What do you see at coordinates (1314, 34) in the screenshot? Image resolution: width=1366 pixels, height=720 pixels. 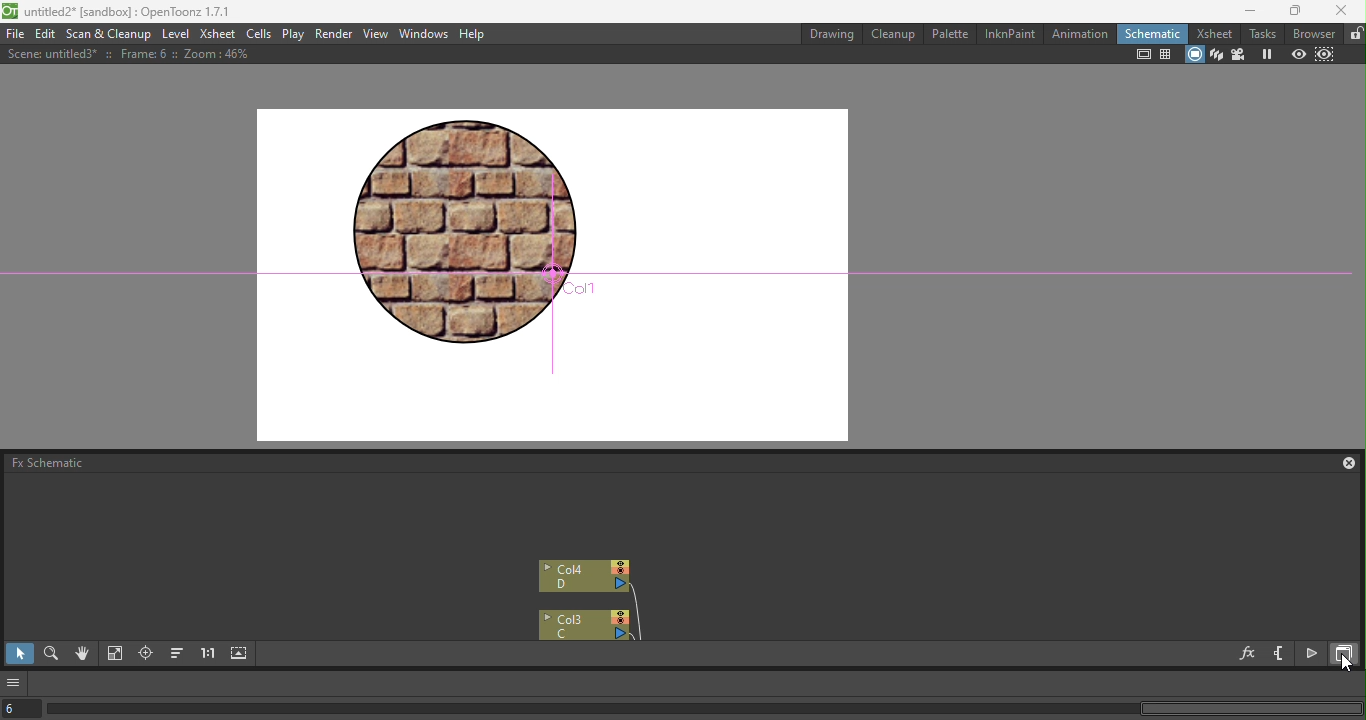 I see `Browser` at bounding box center [1314, 34].